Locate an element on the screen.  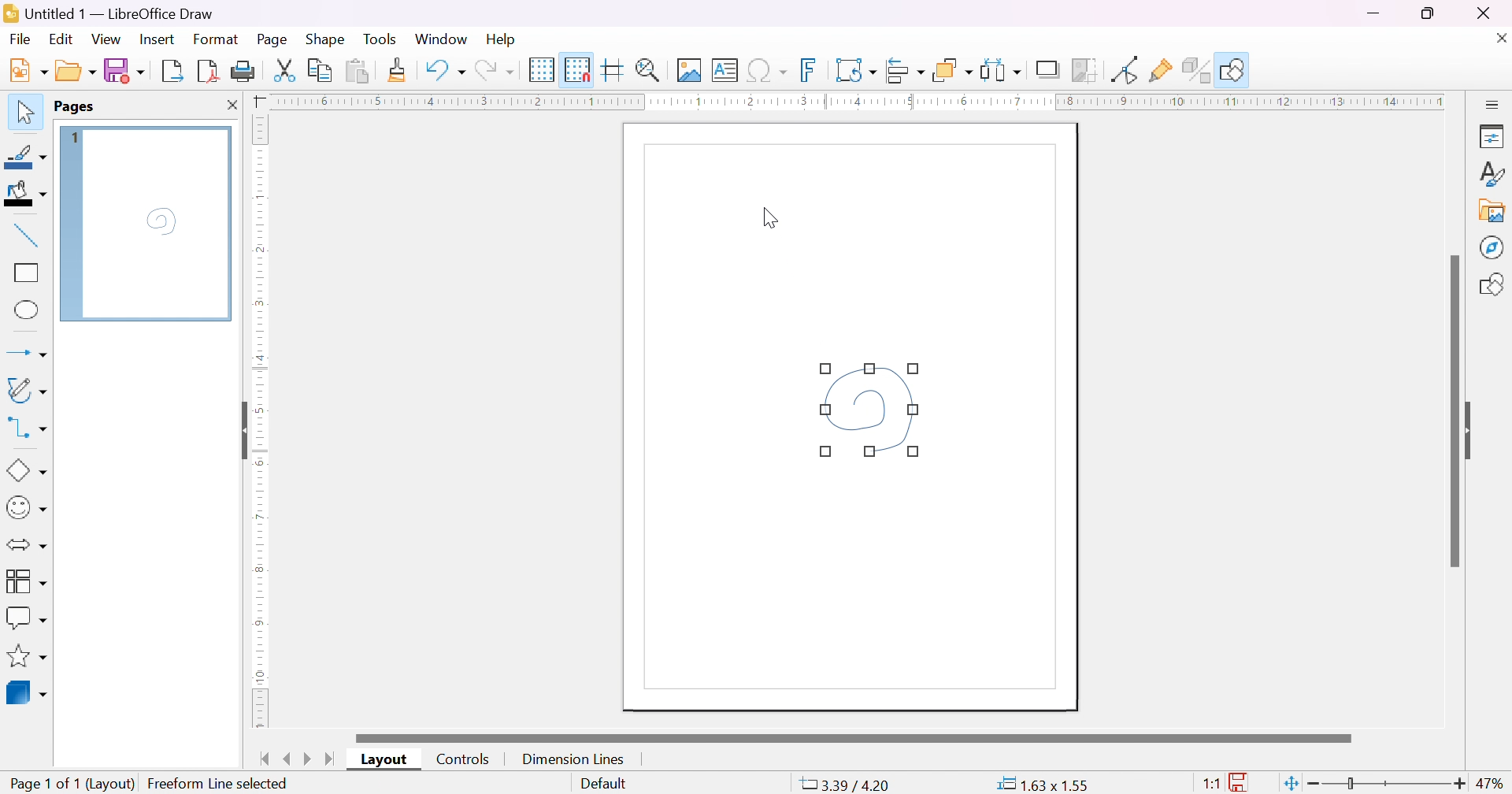
snap to grid is located at coordinates (576, 69).